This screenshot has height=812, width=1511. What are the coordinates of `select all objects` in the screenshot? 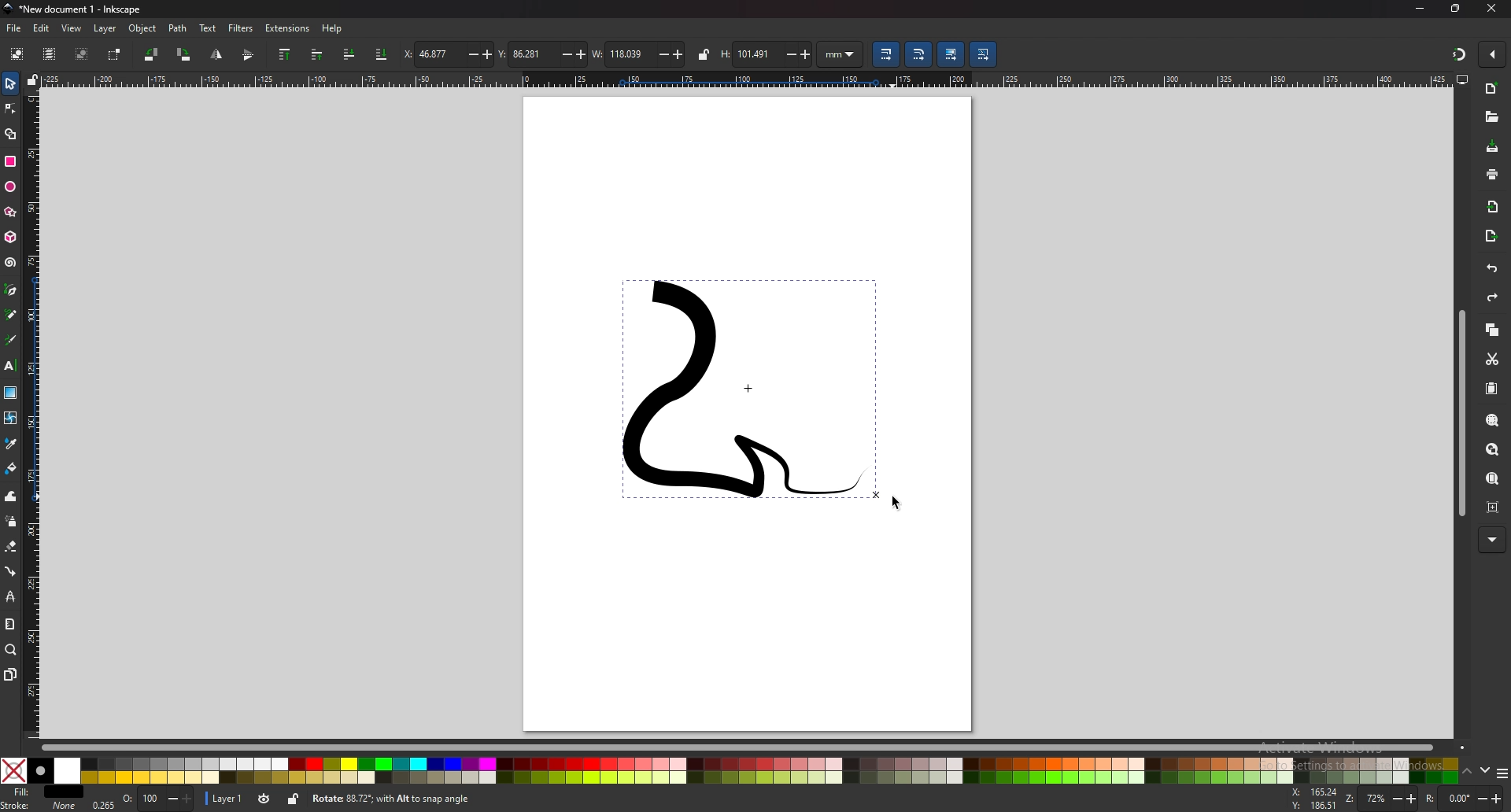 It's located at (17, 53).